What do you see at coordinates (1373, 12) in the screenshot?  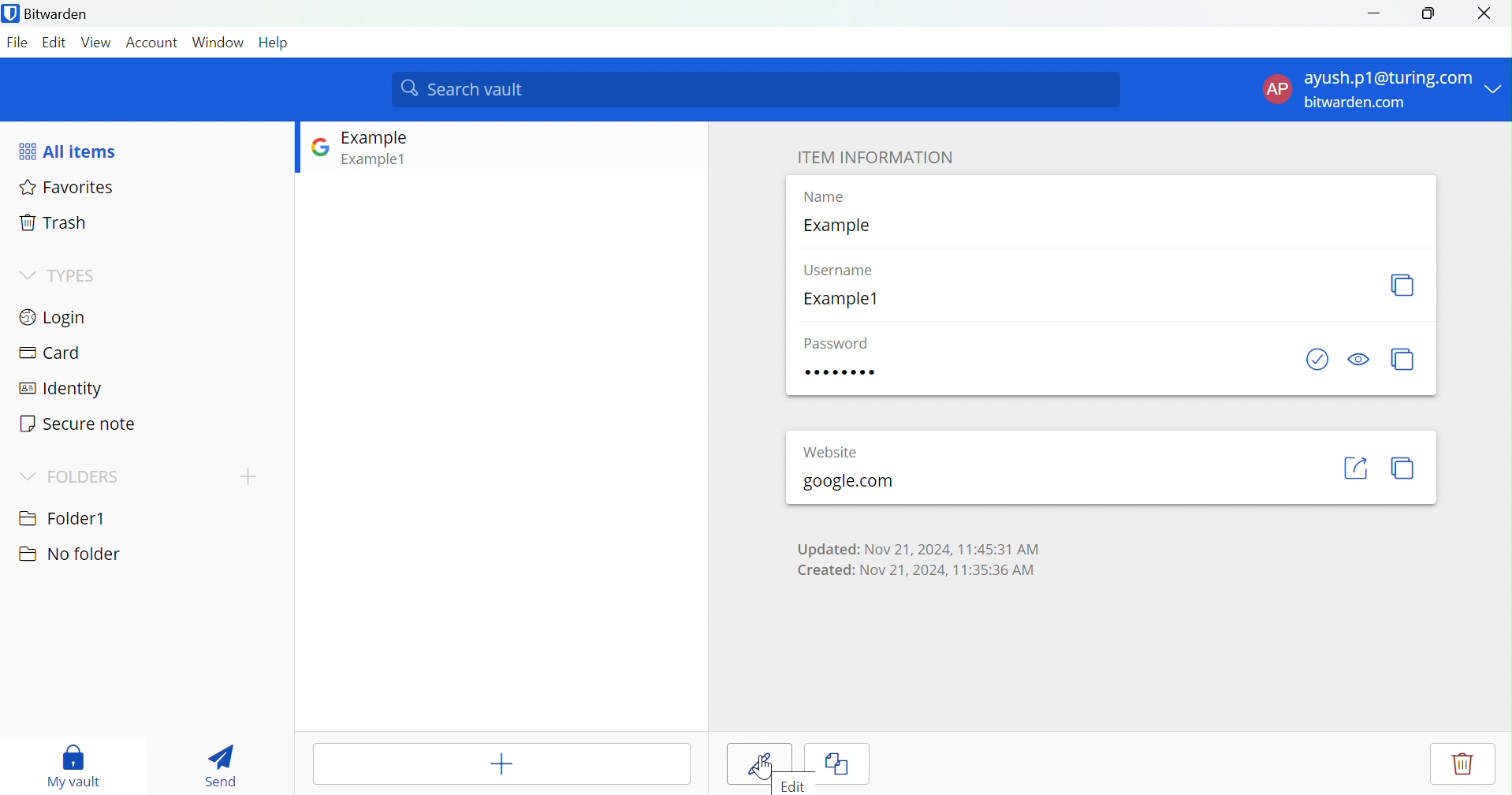 I see `Minimize` at bounding box center [1373, 12].